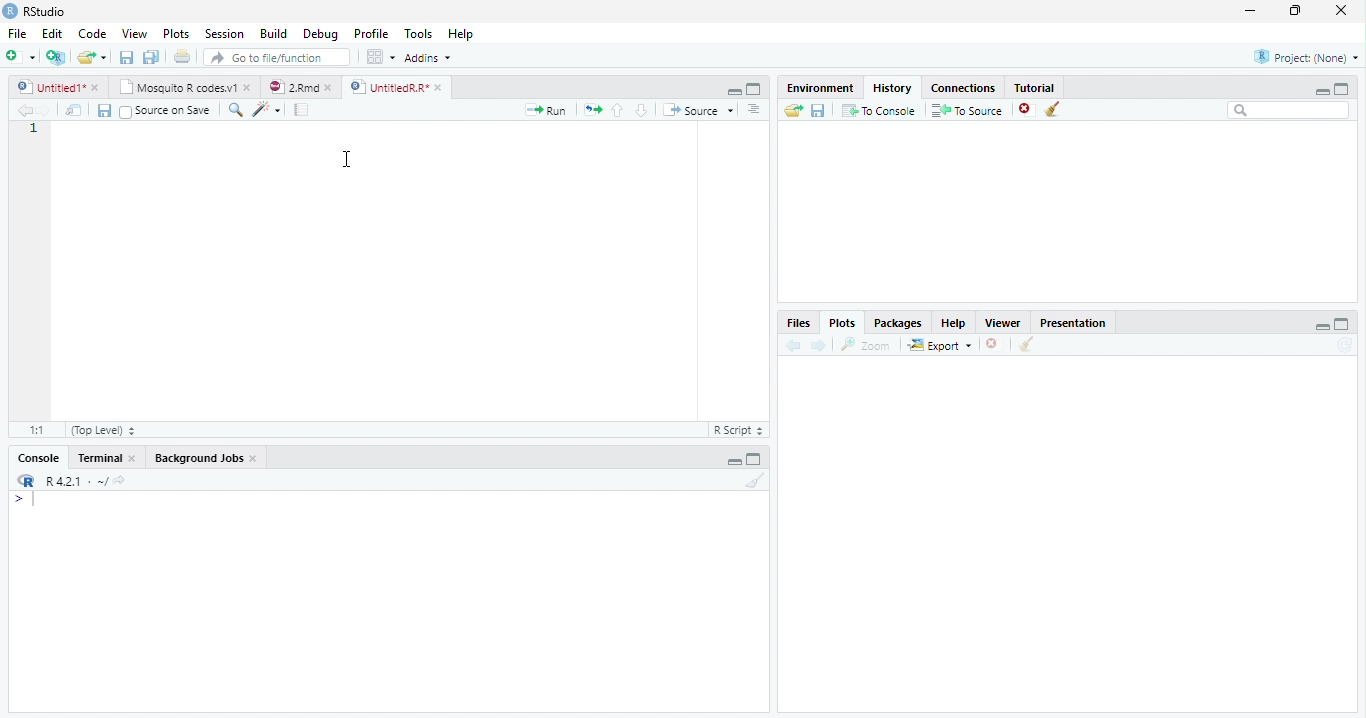  What do you see at coordinates (963, 88) in the screenshot?
I see `Connections` at bounding box center [963, 88].